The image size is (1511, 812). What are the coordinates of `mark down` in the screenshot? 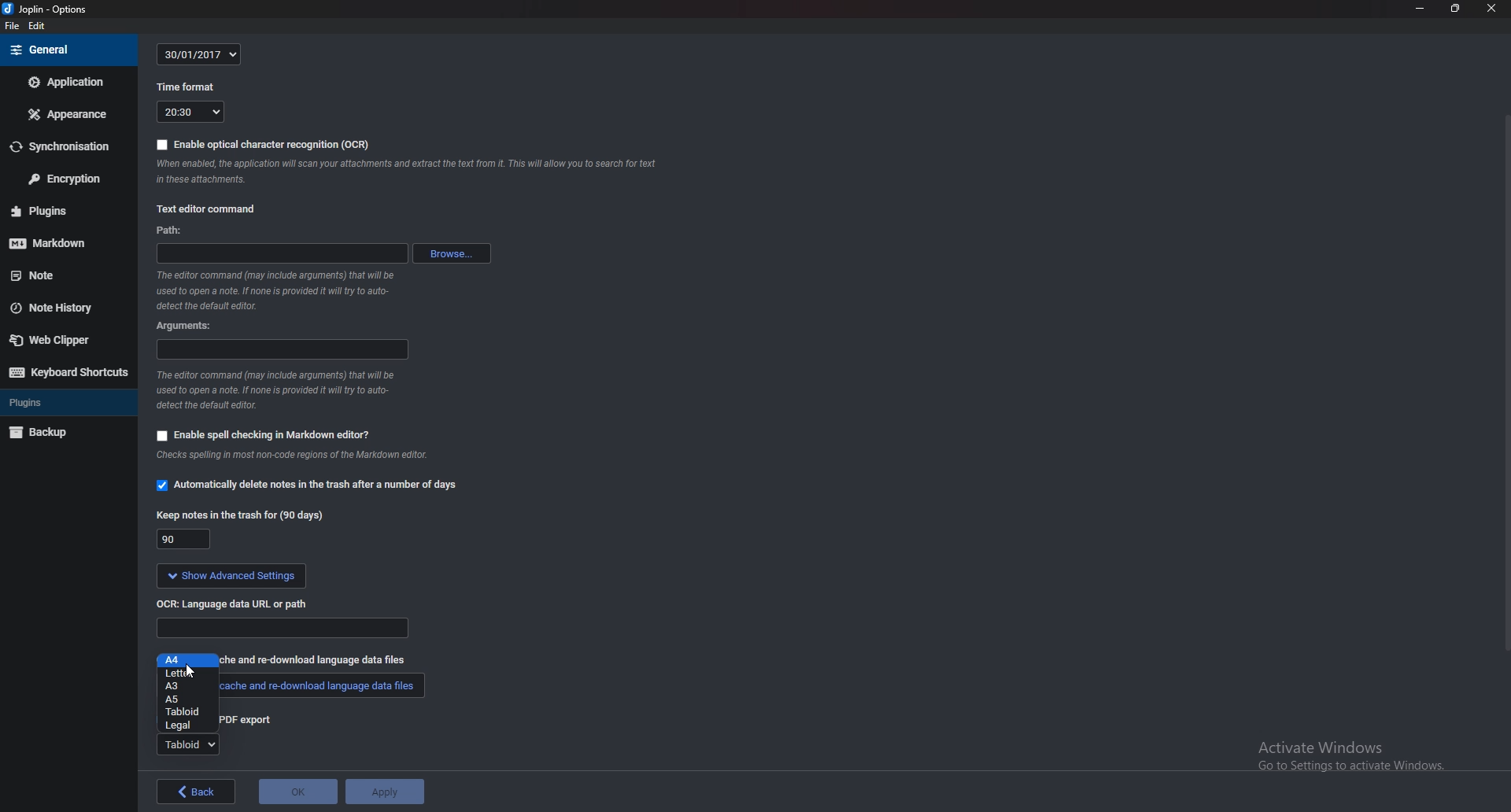 It's located at (53, 244).